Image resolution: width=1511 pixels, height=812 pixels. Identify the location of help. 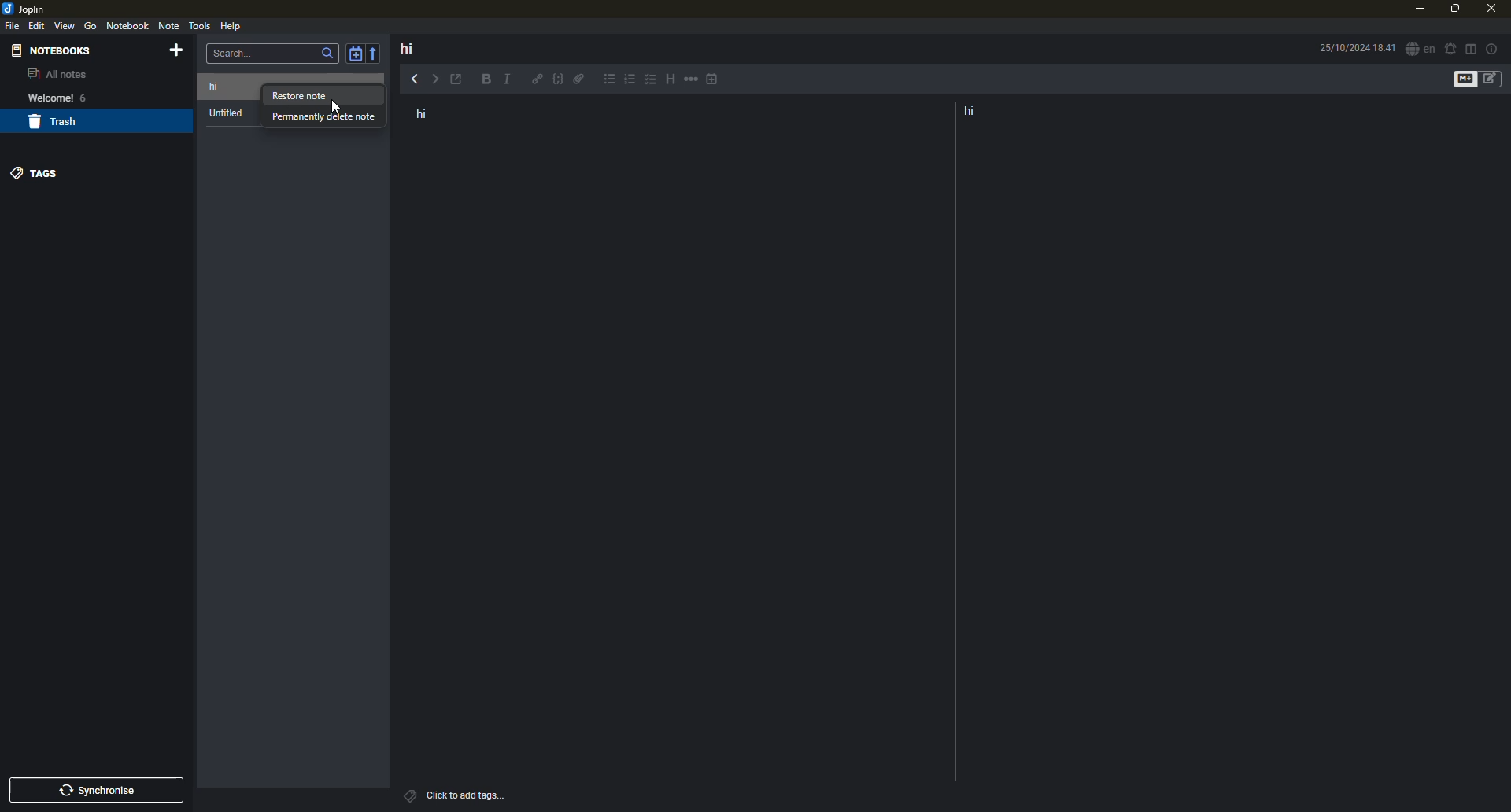
(231, 25).